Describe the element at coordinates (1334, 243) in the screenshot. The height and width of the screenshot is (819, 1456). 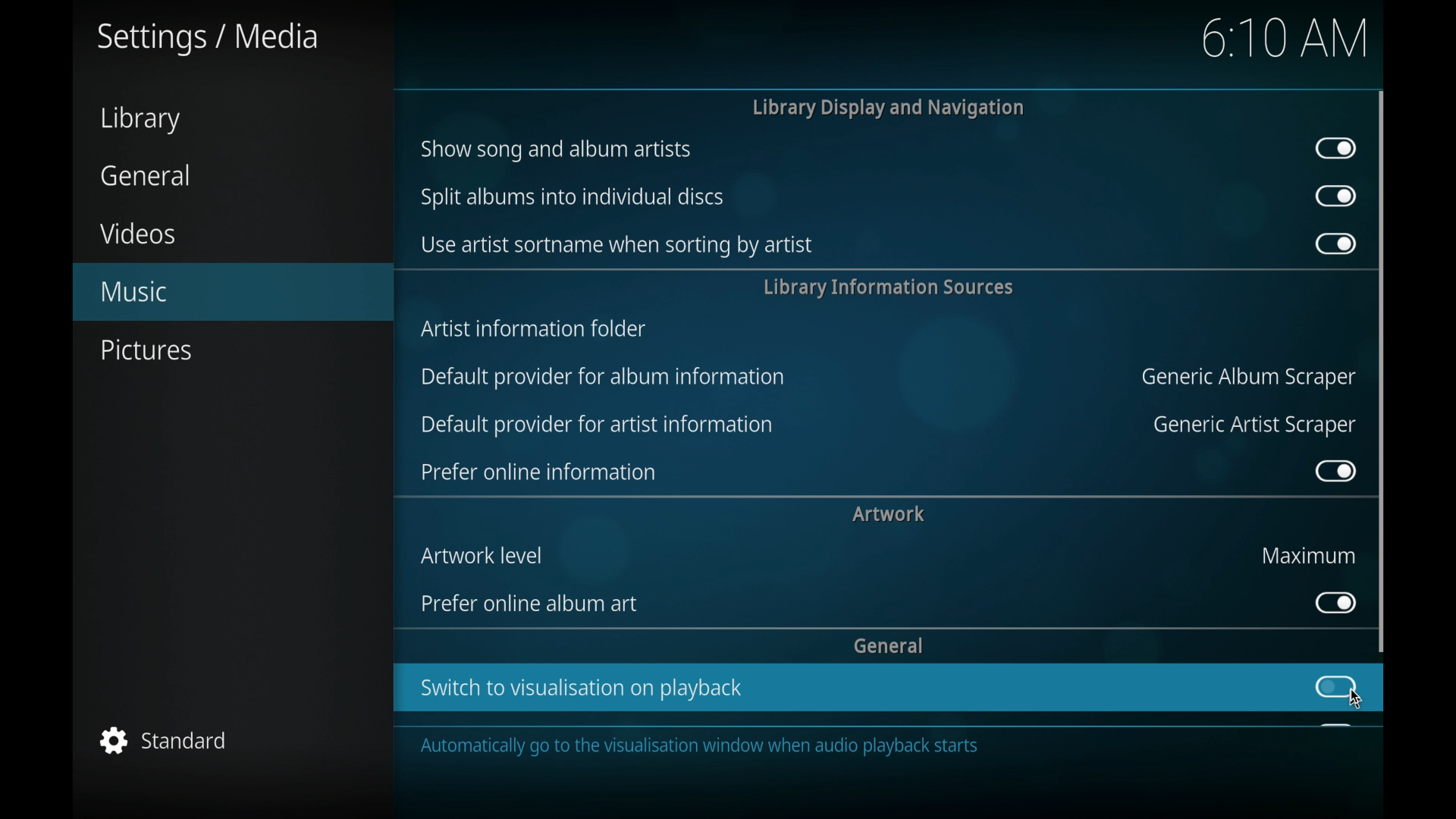
I see `toggle button` at that location.